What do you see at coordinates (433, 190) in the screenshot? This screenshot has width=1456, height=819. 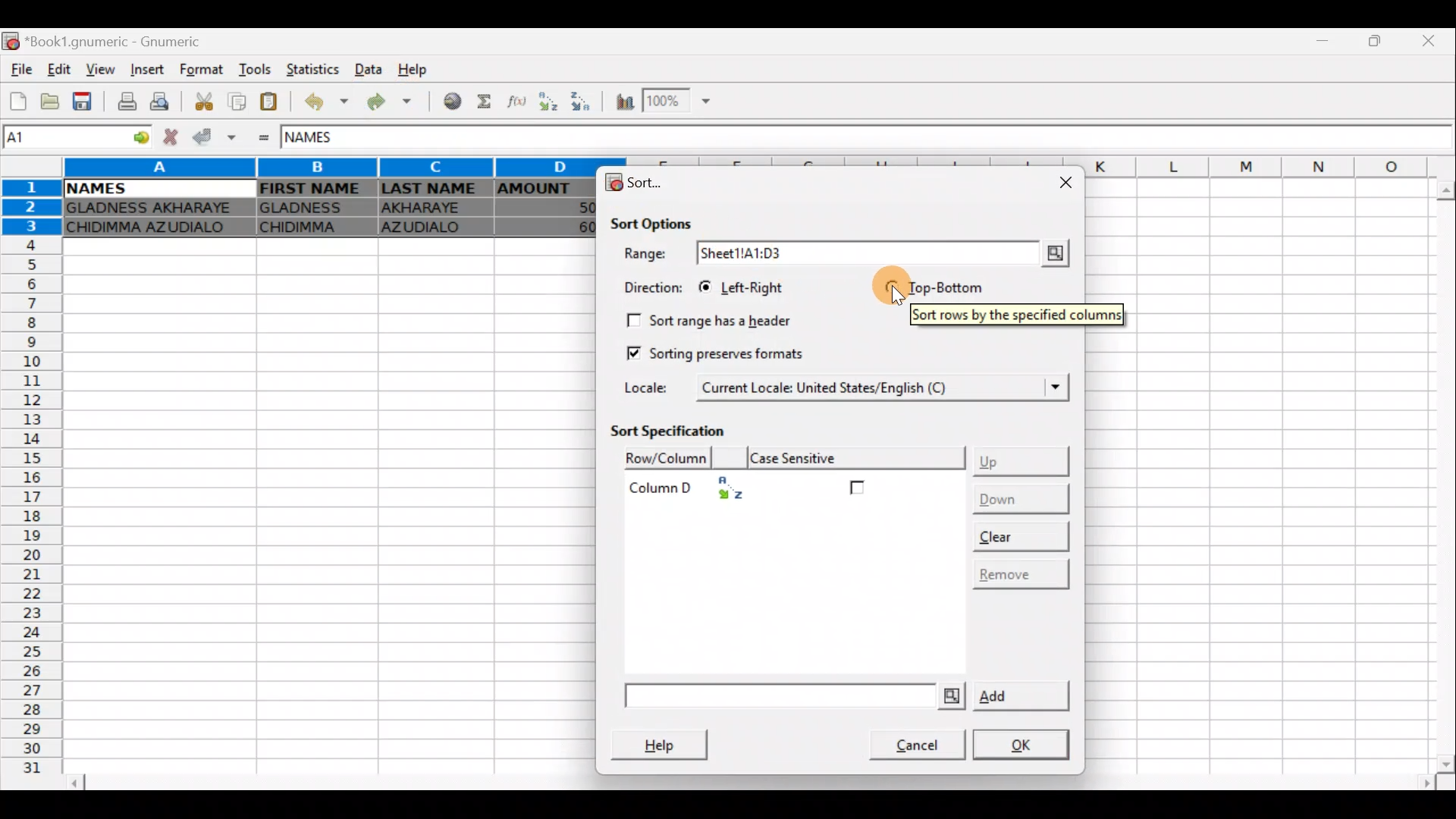 I see `LAST NAME` at bounding box center [433, 190].